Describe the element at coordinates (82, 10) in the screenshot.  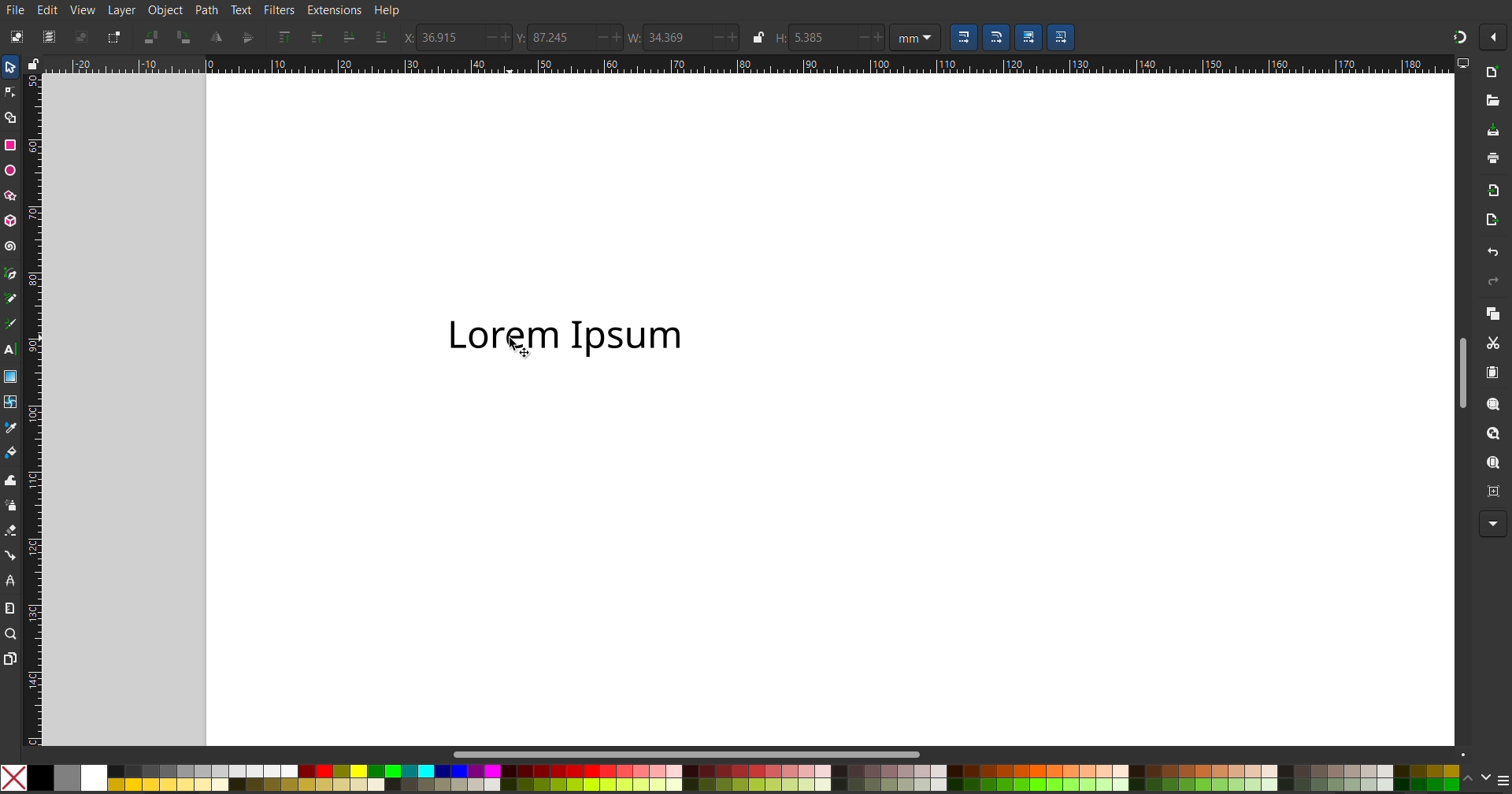
I see `View` at that location.